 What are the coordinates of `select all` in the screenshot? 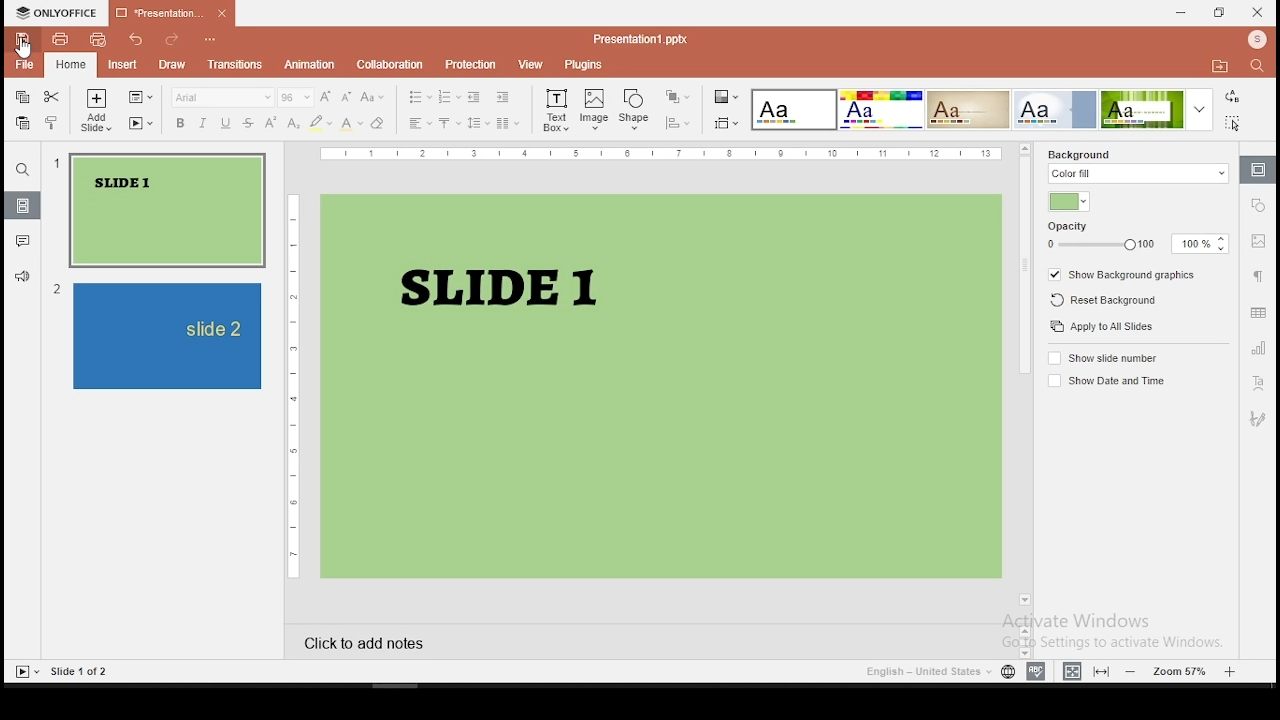 It's located at (1233, 123).